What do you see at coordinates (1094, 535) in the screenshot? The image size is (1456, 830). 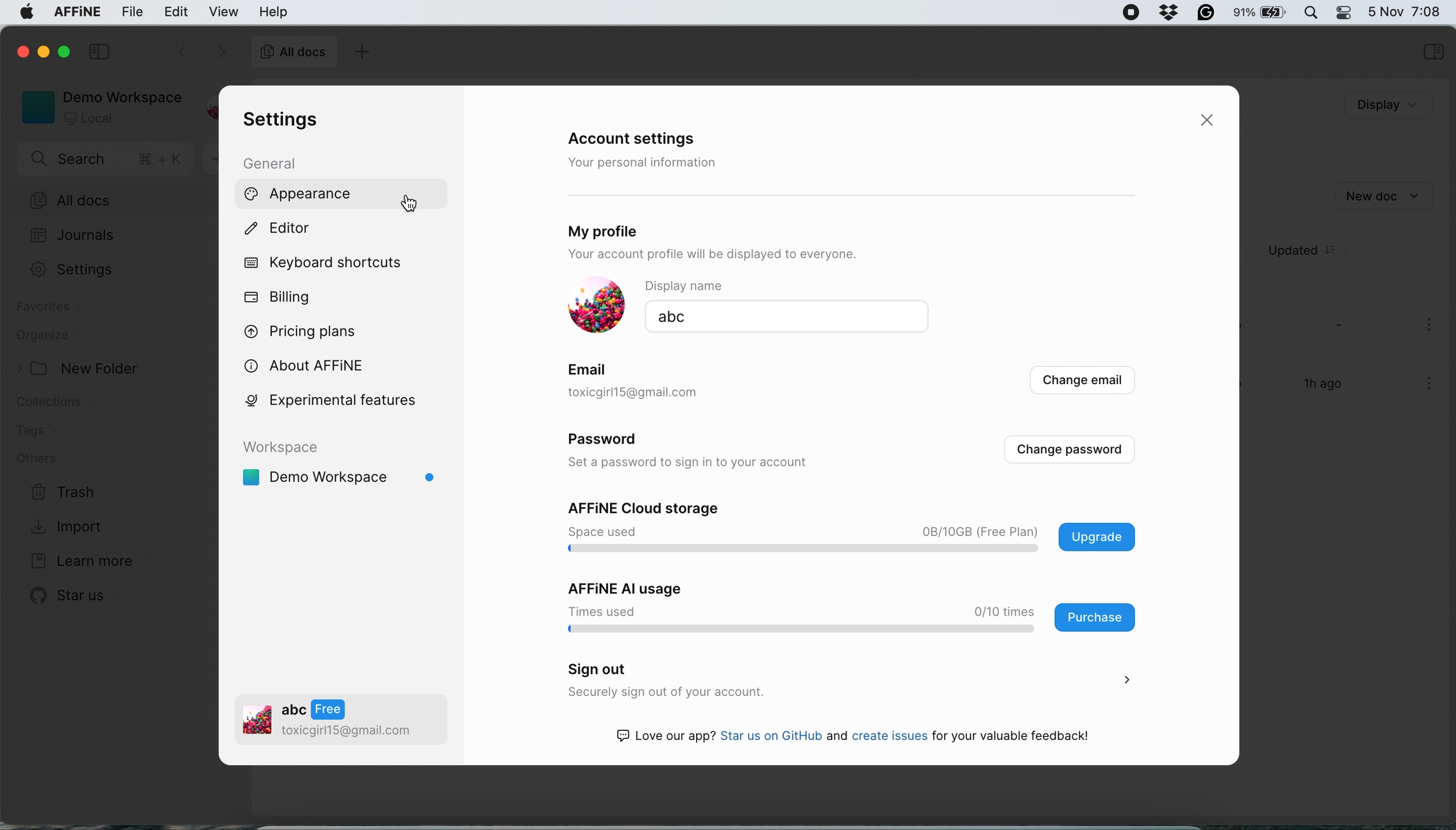 I see `Upgrade` at bounding box center [1094, 535].